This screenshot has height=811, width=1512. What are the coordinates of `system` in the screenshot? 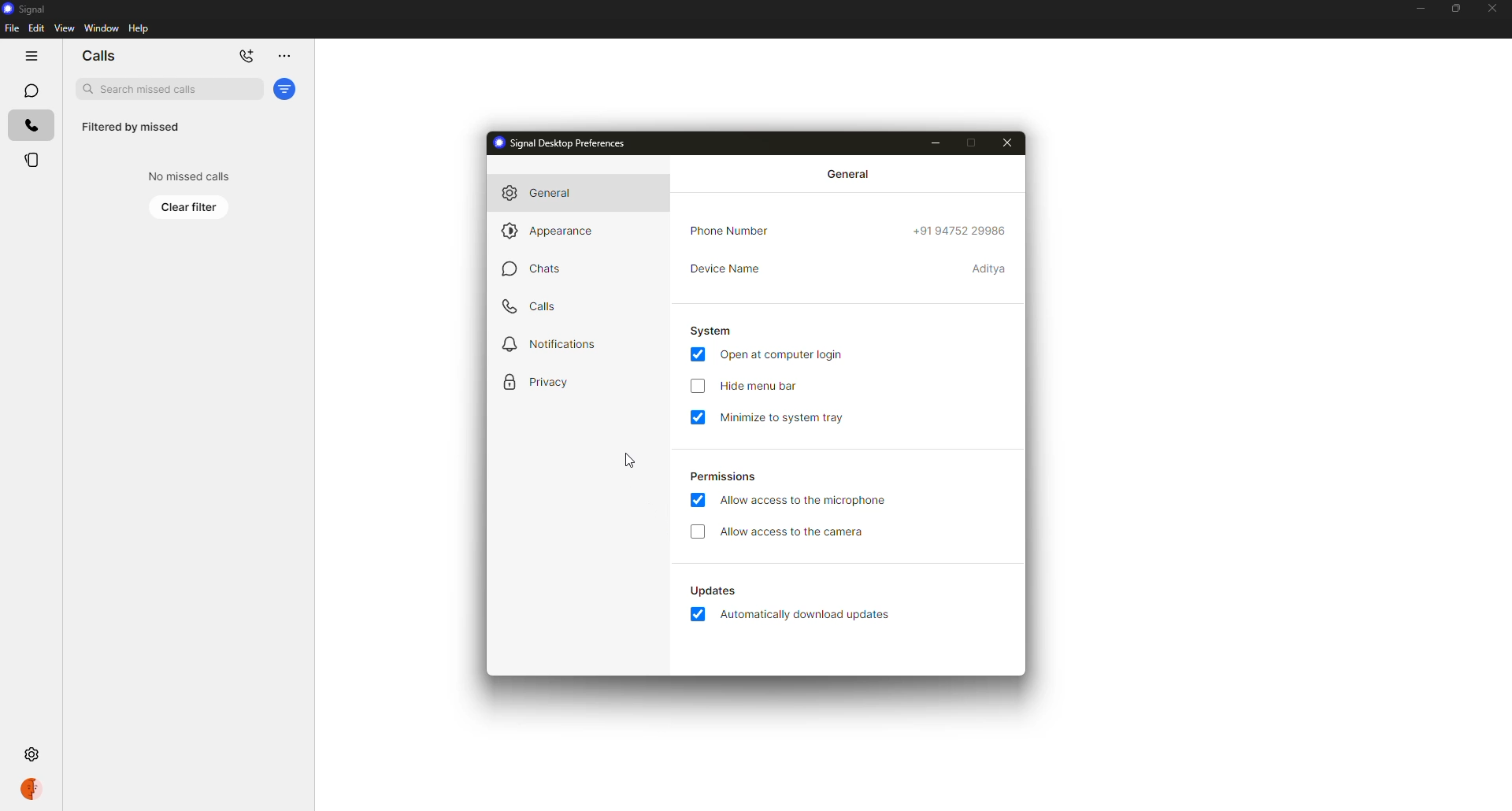 It's located at (711, 331).